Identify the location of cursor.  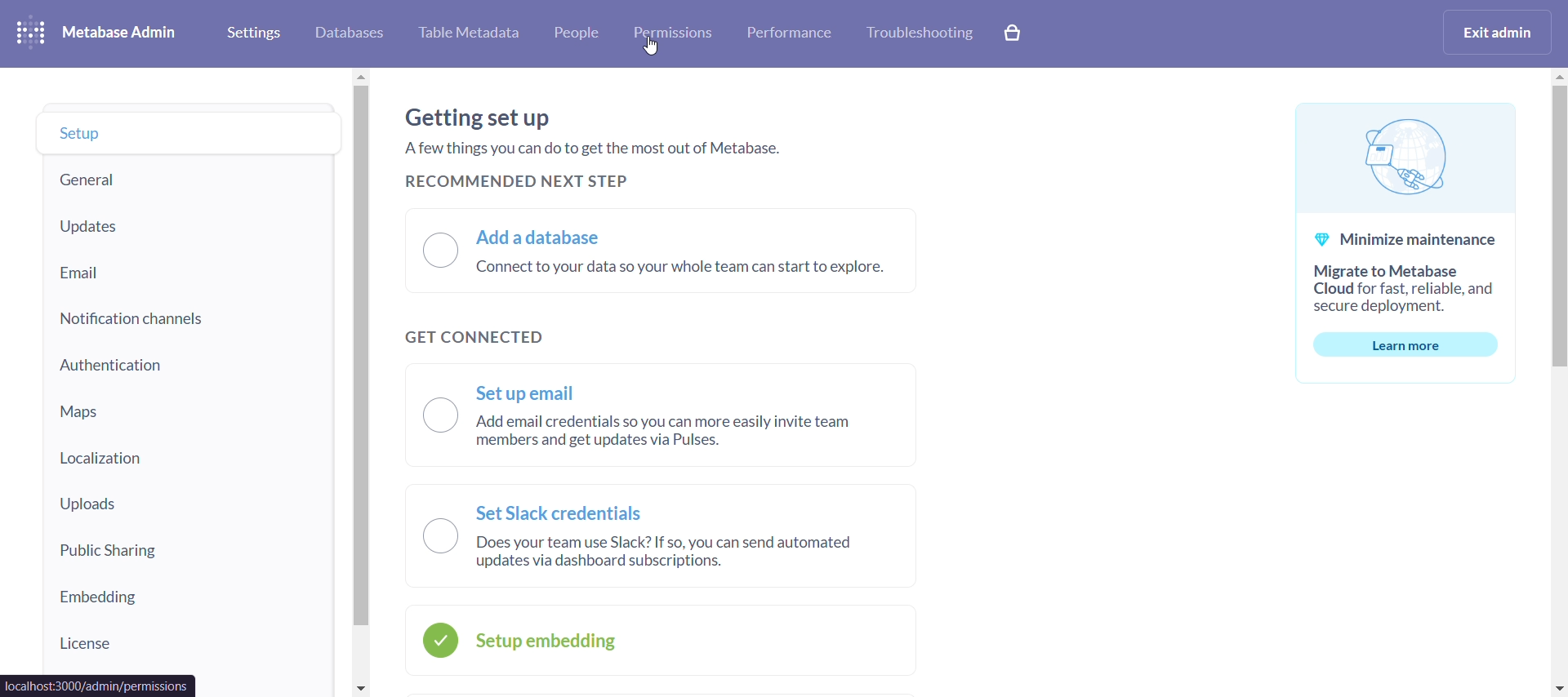
(655, 49).